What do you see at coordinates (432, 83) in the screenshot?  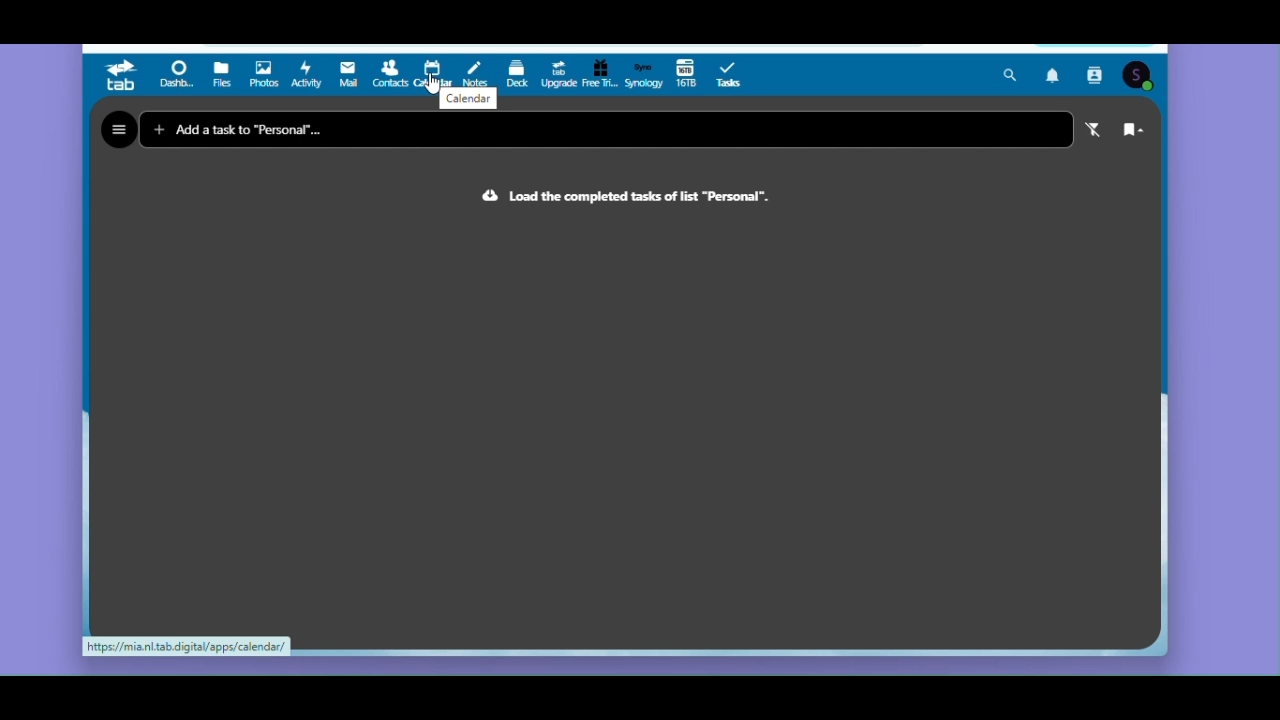 I see `Cursor` at bounding box center [432, 83].